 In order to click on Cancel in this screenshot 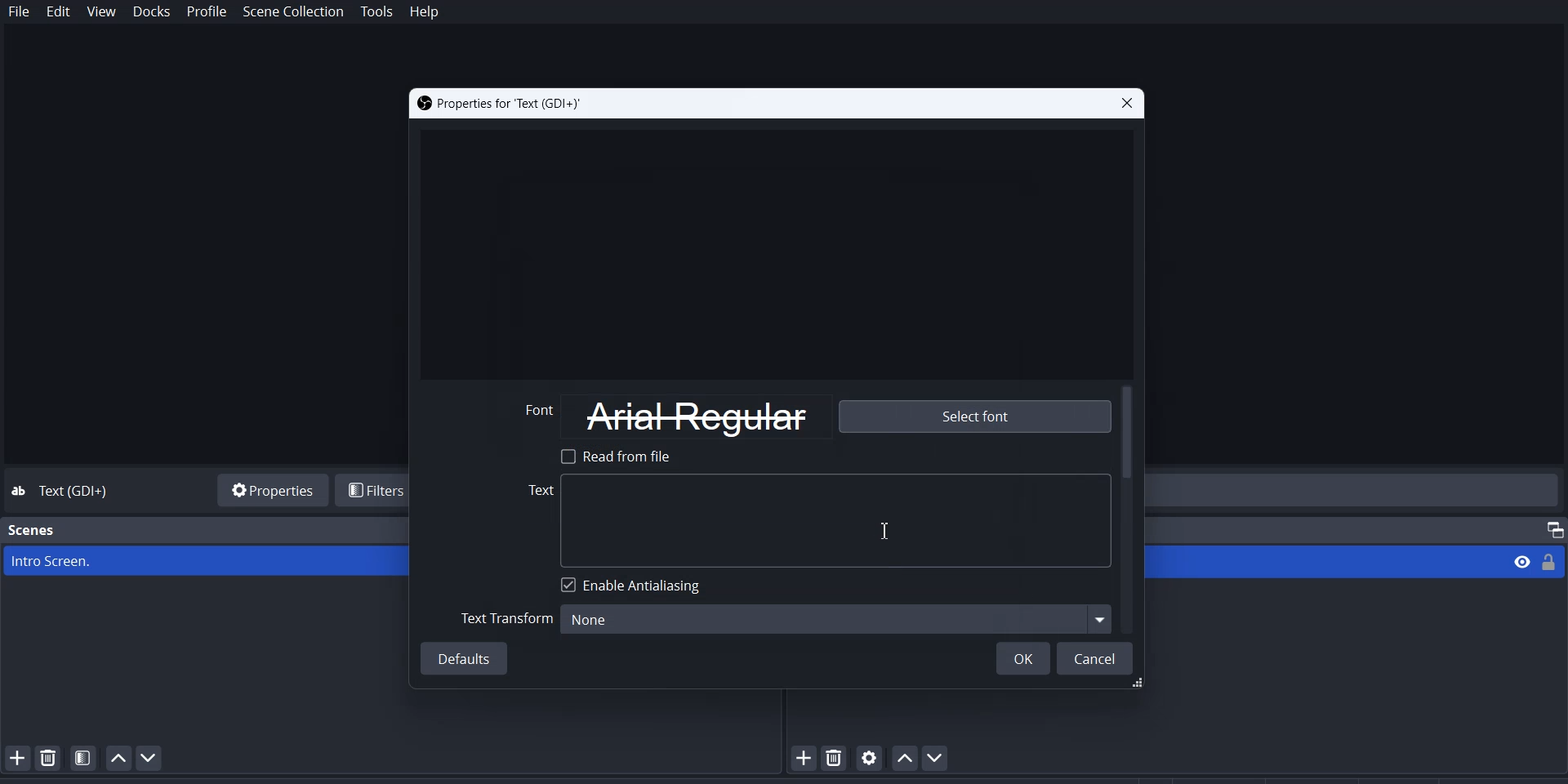, I will do `click(1097, 657)`.